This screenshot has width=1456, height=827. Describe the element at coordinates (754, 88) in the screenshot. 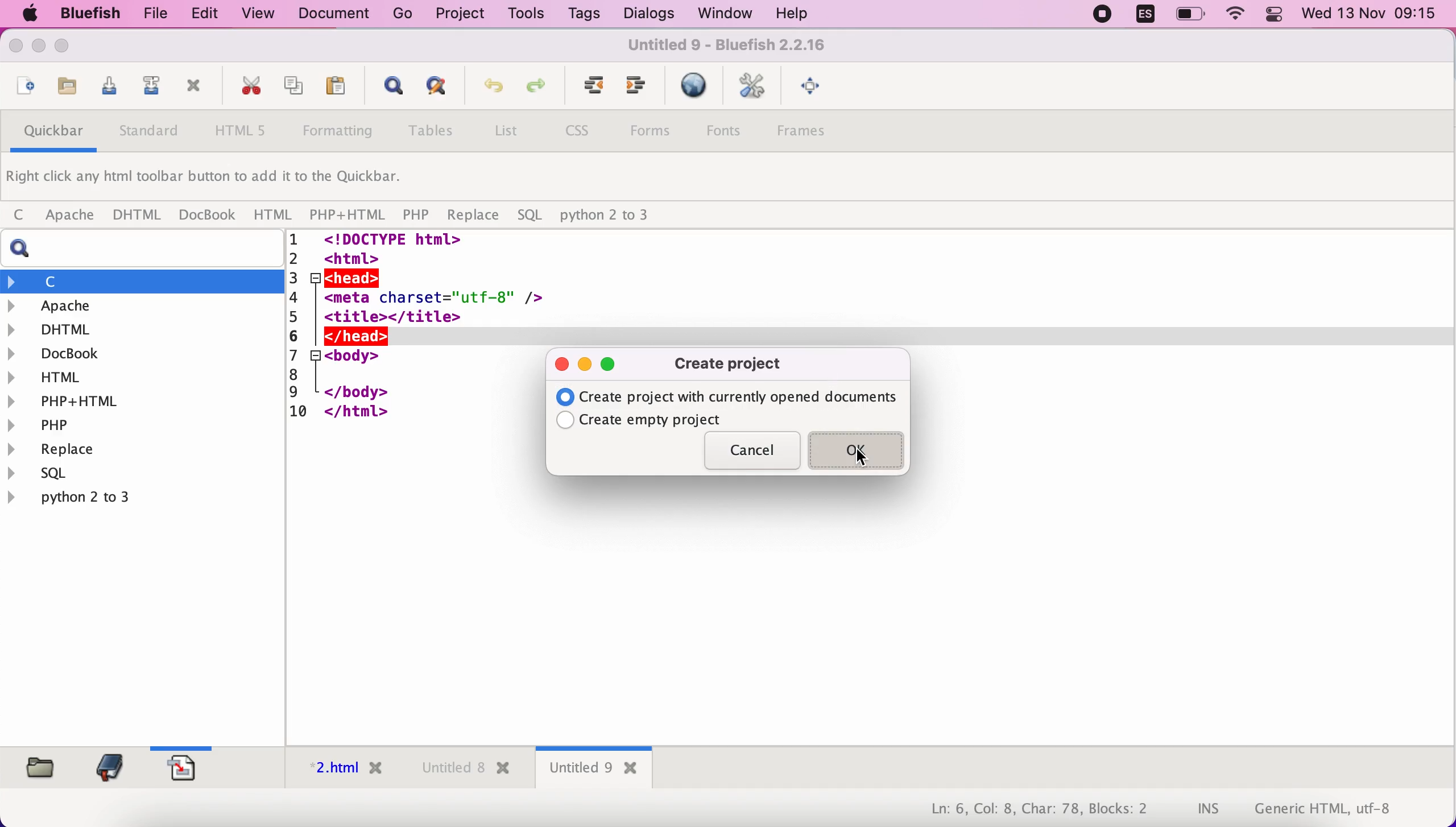

I see `edit preferences` at that location.